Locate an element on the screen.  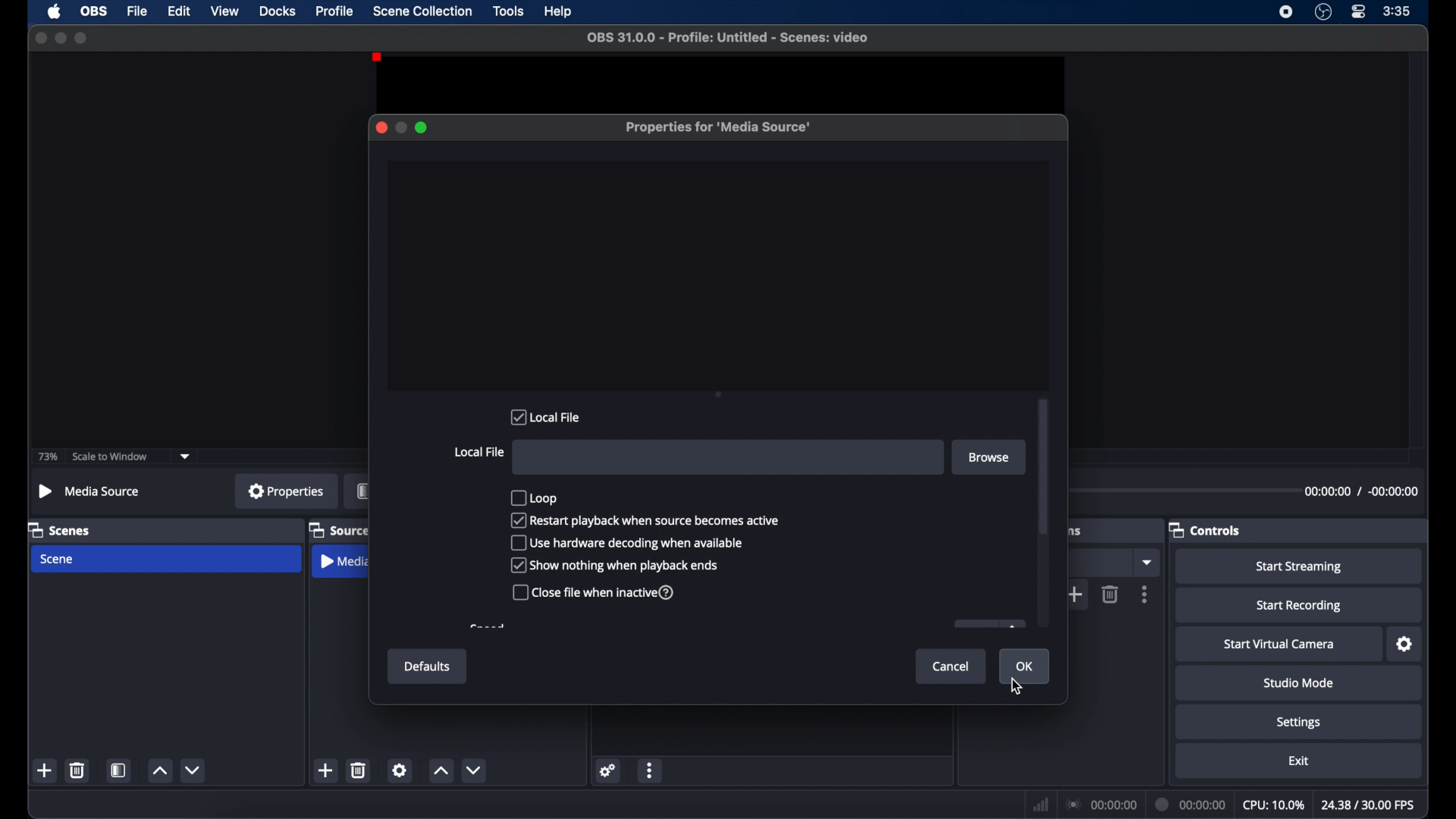
sources is located at coordinates (335, 529).